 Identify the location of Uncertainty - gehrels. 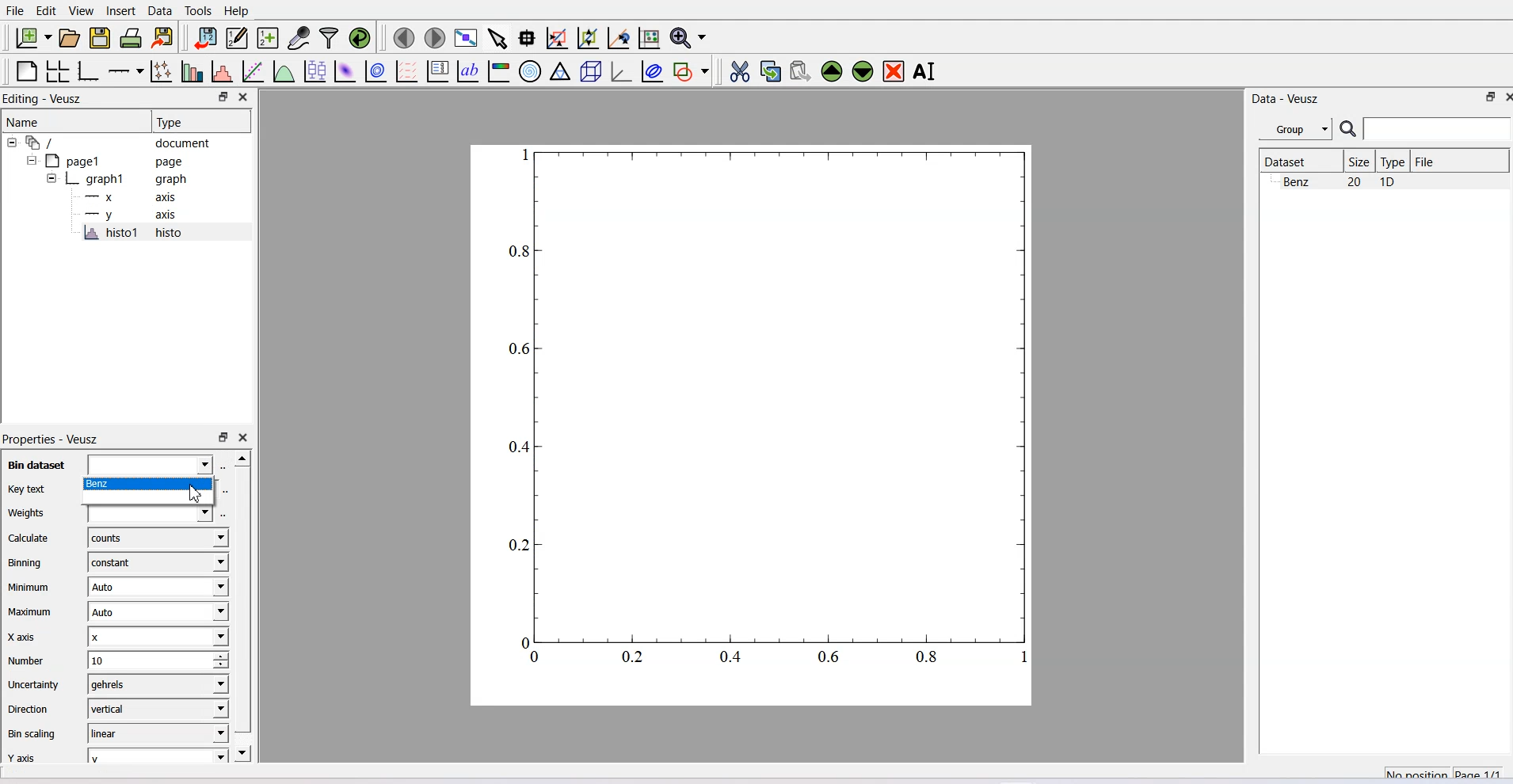
(114, 683).